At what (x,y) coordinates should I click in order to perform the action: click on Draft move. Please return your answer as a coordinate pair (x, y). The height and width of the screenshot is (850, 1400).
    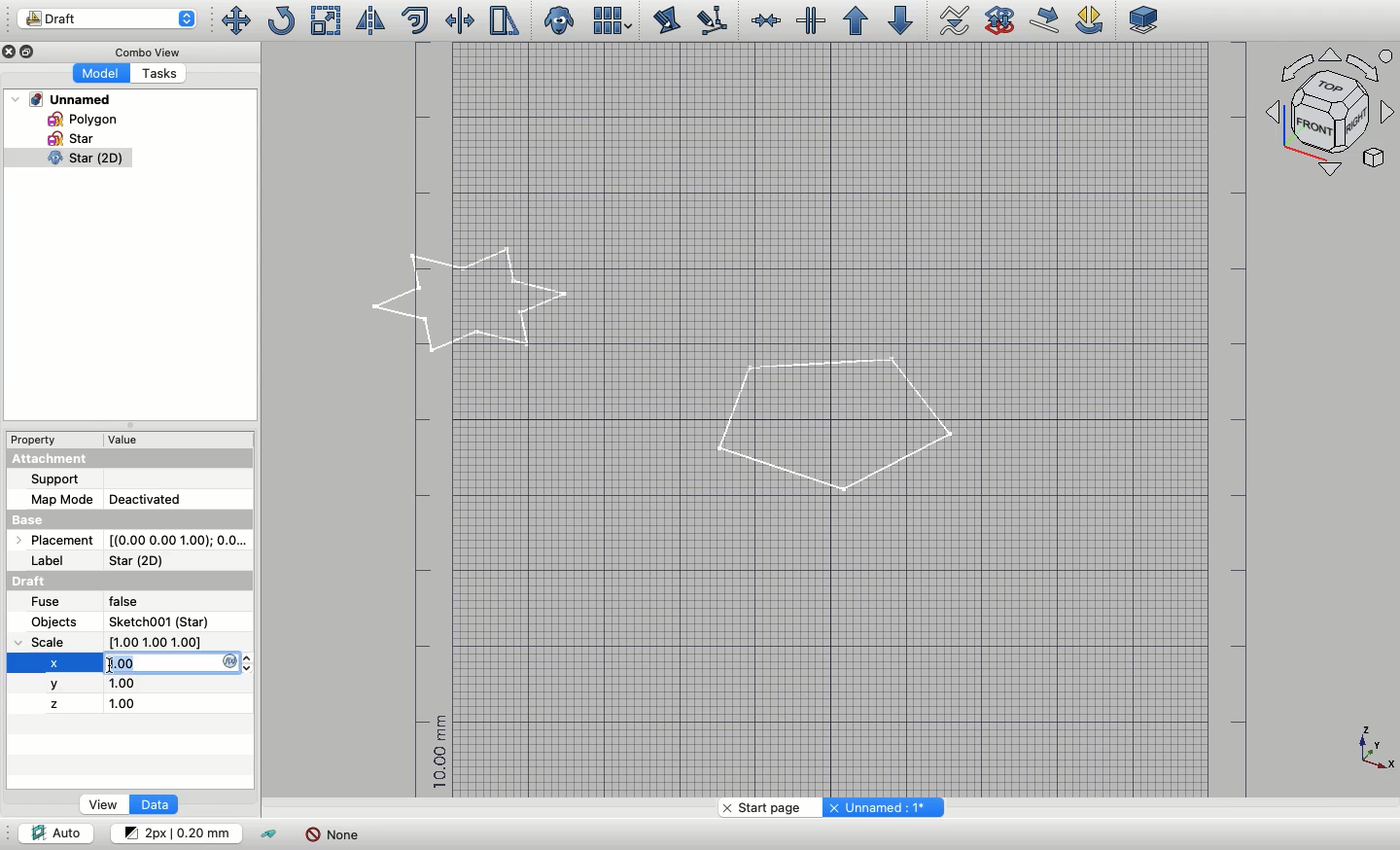
    Looking at the image, I should click on (1046, 19).